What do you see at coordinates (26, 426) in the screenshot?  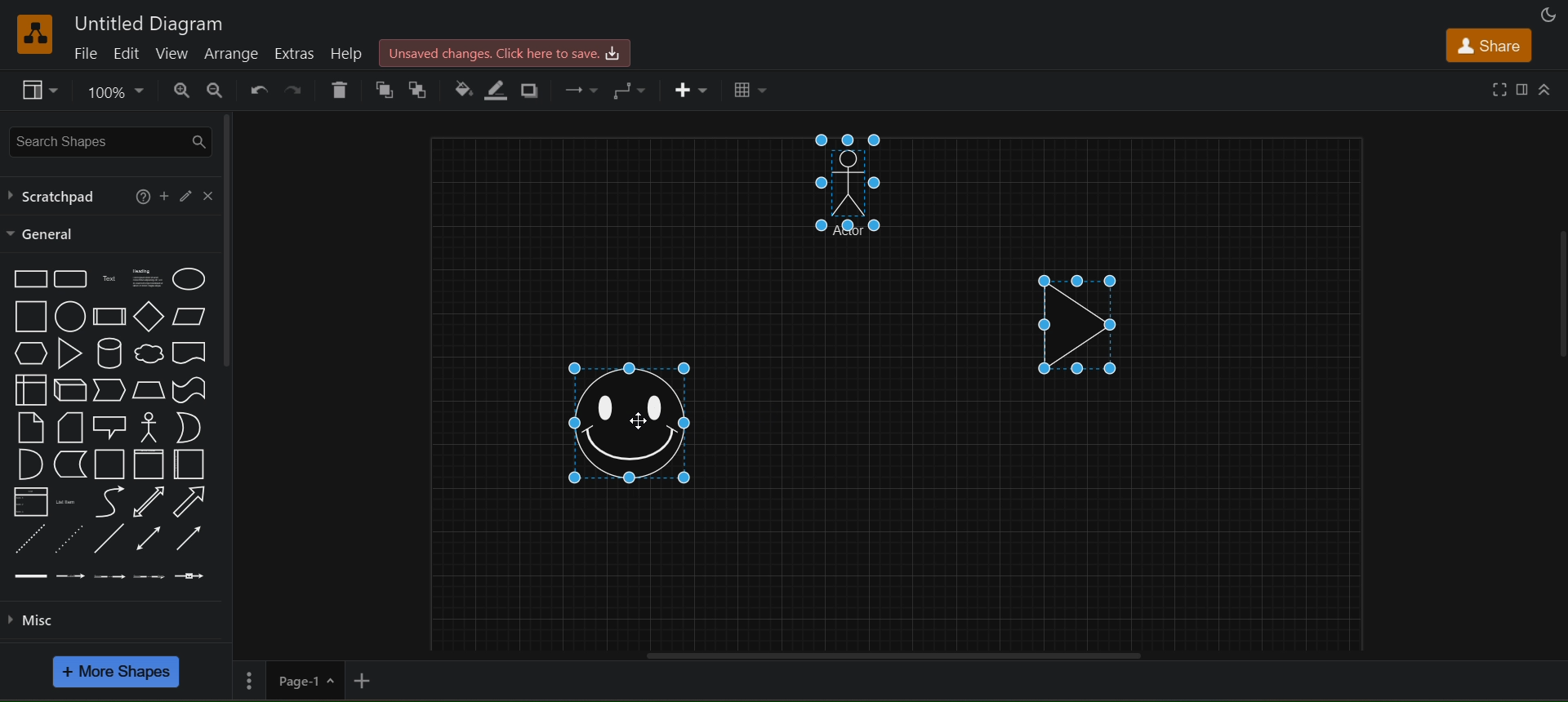 I see `notes` at bounding box center [26, 426].